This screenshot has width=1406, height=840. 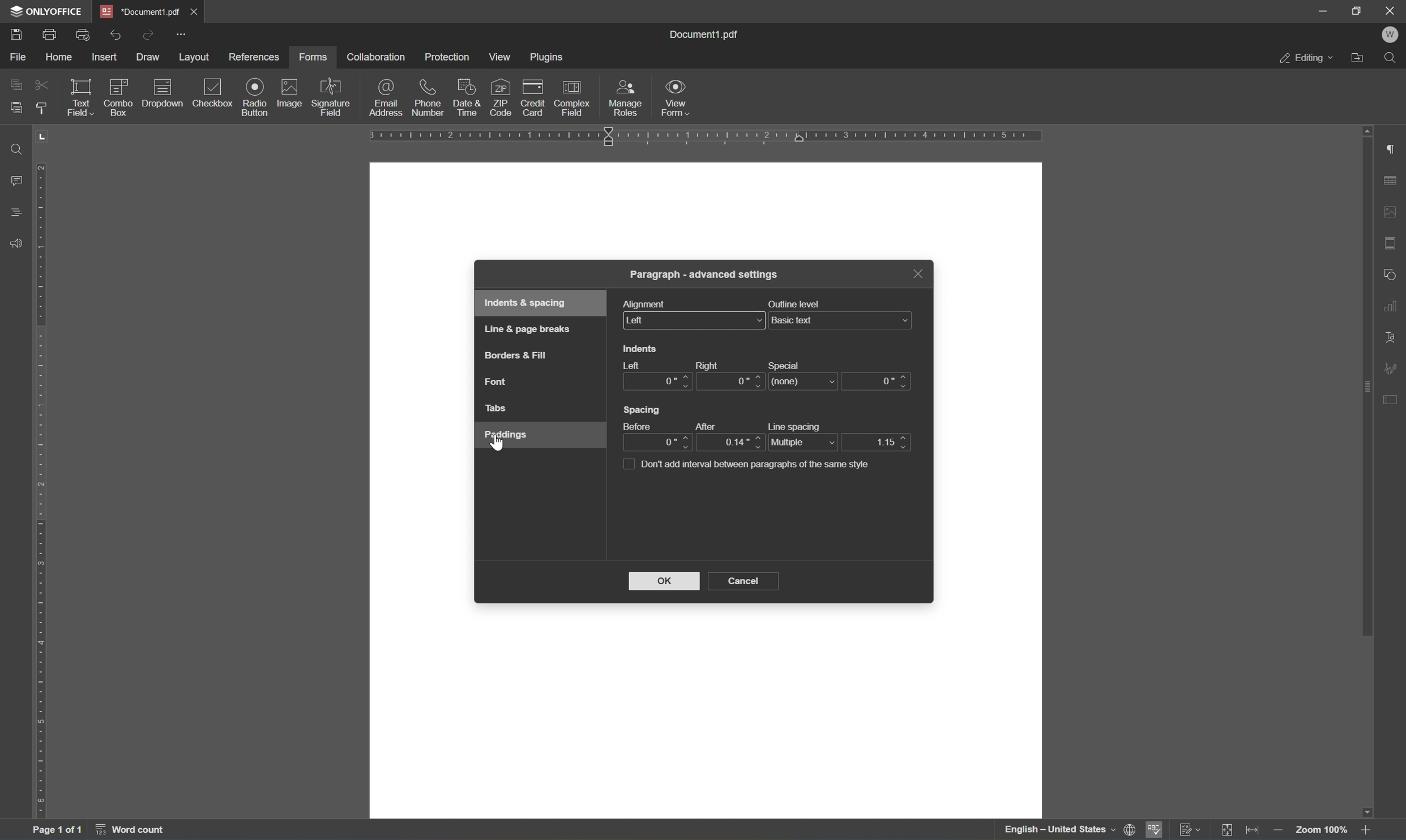 I want to click on left, so click(x=696, y=320).